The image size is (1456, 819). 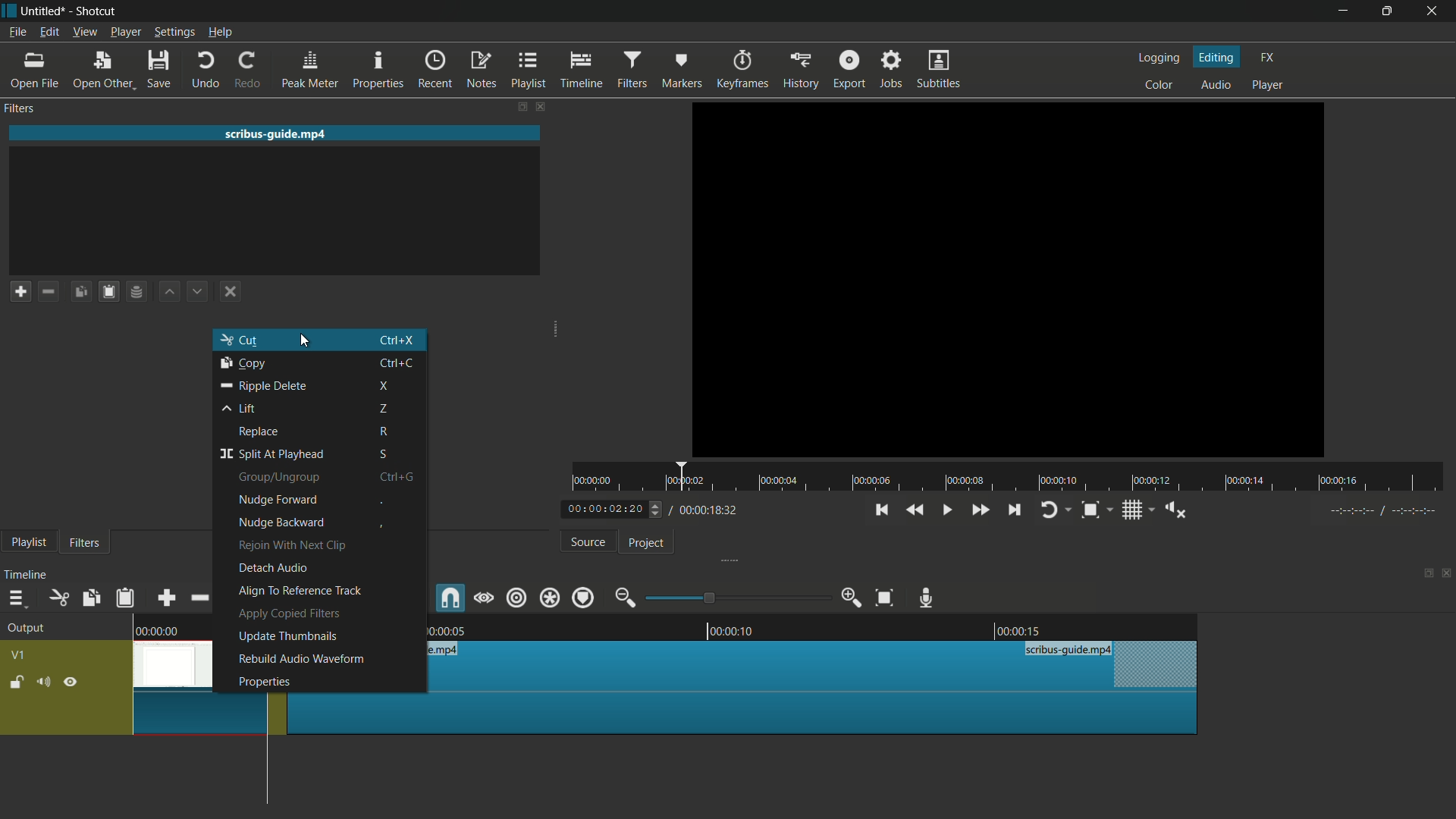 I want to click on subtitles, so click(x=938, y=68).